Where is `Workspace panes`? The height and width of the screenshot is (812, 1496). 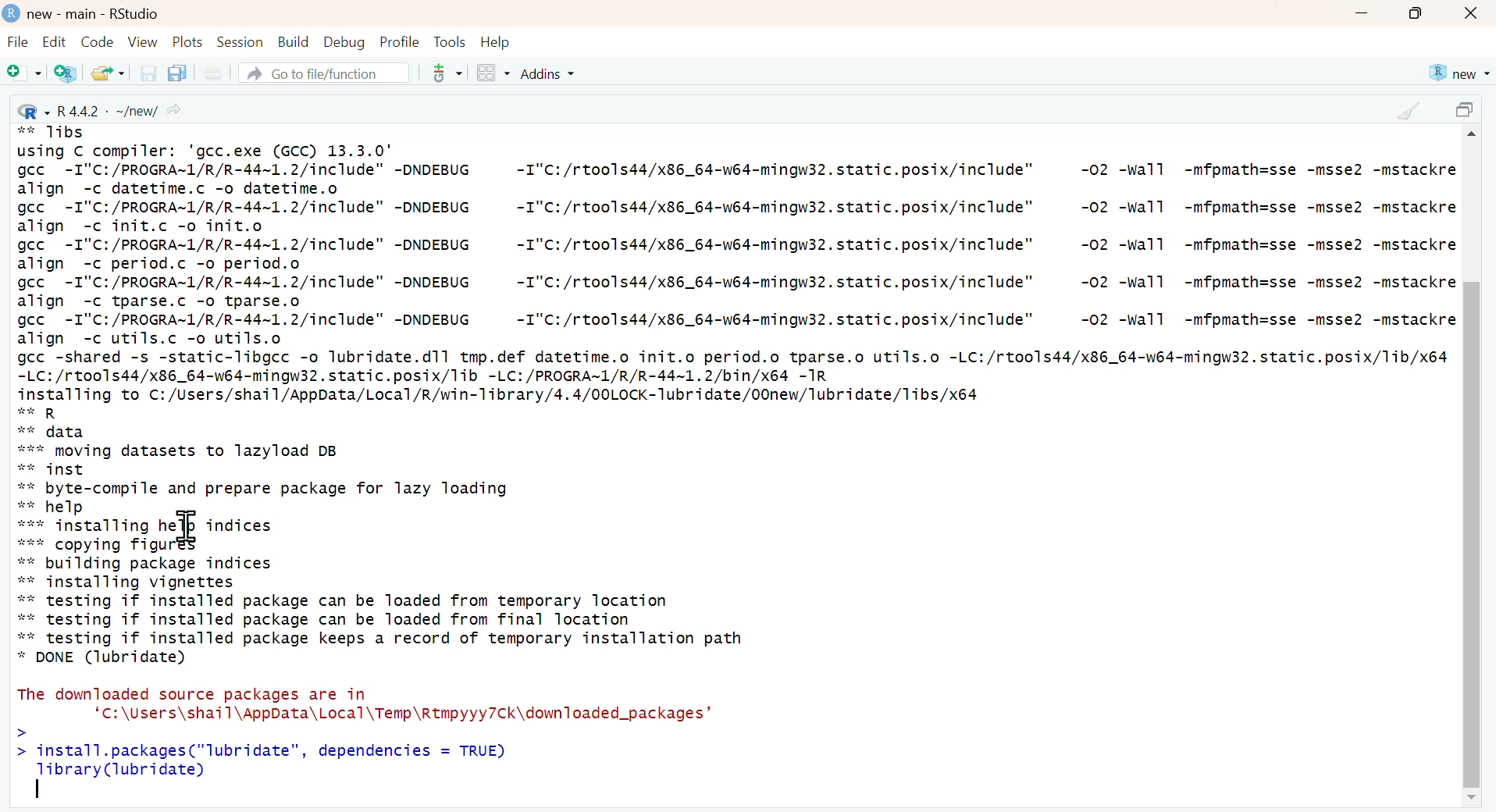
Workspace panes is located at coordinates (493, 74).